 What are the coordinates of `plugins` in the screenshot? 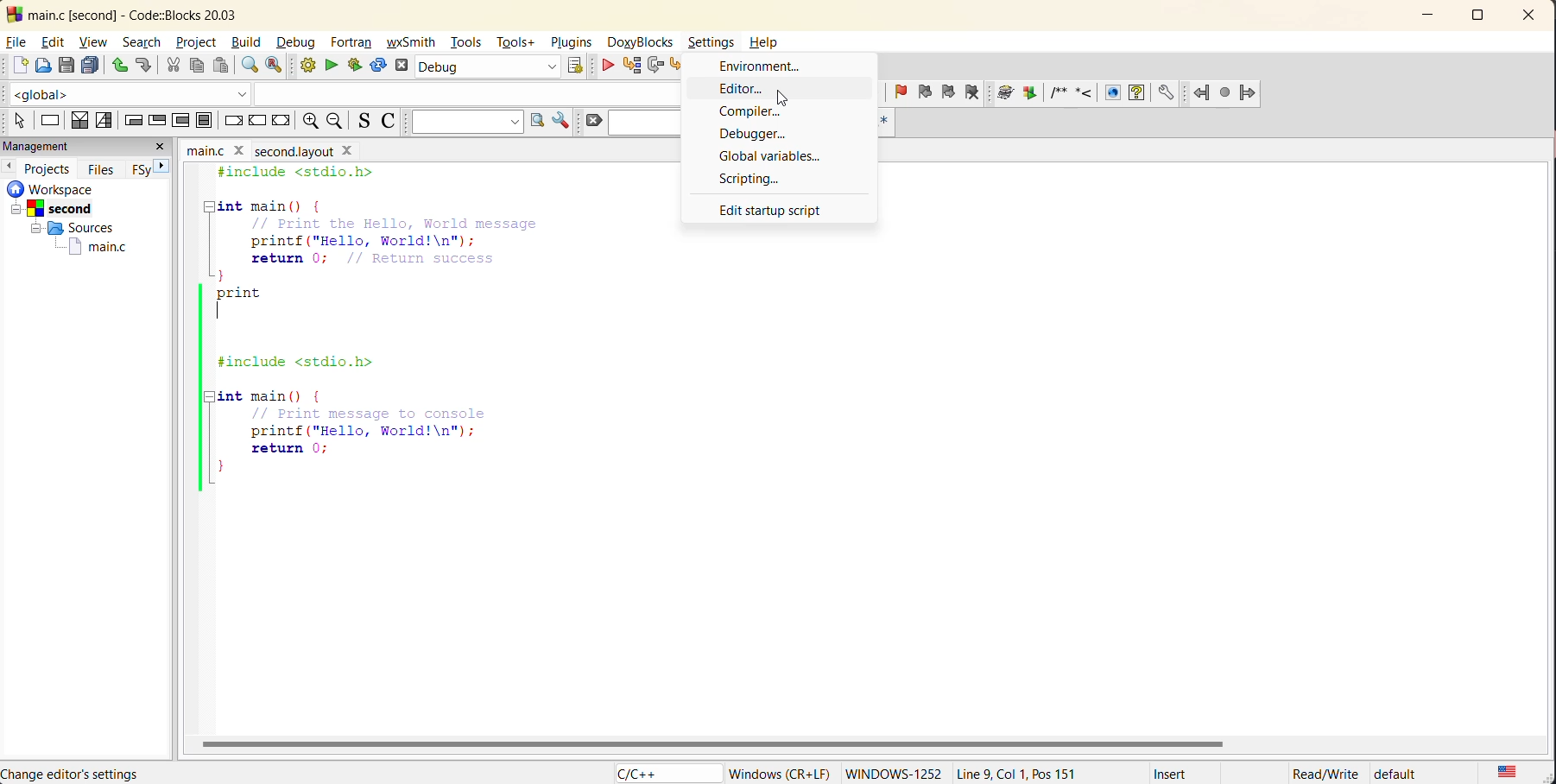 It's located at (572, 42).